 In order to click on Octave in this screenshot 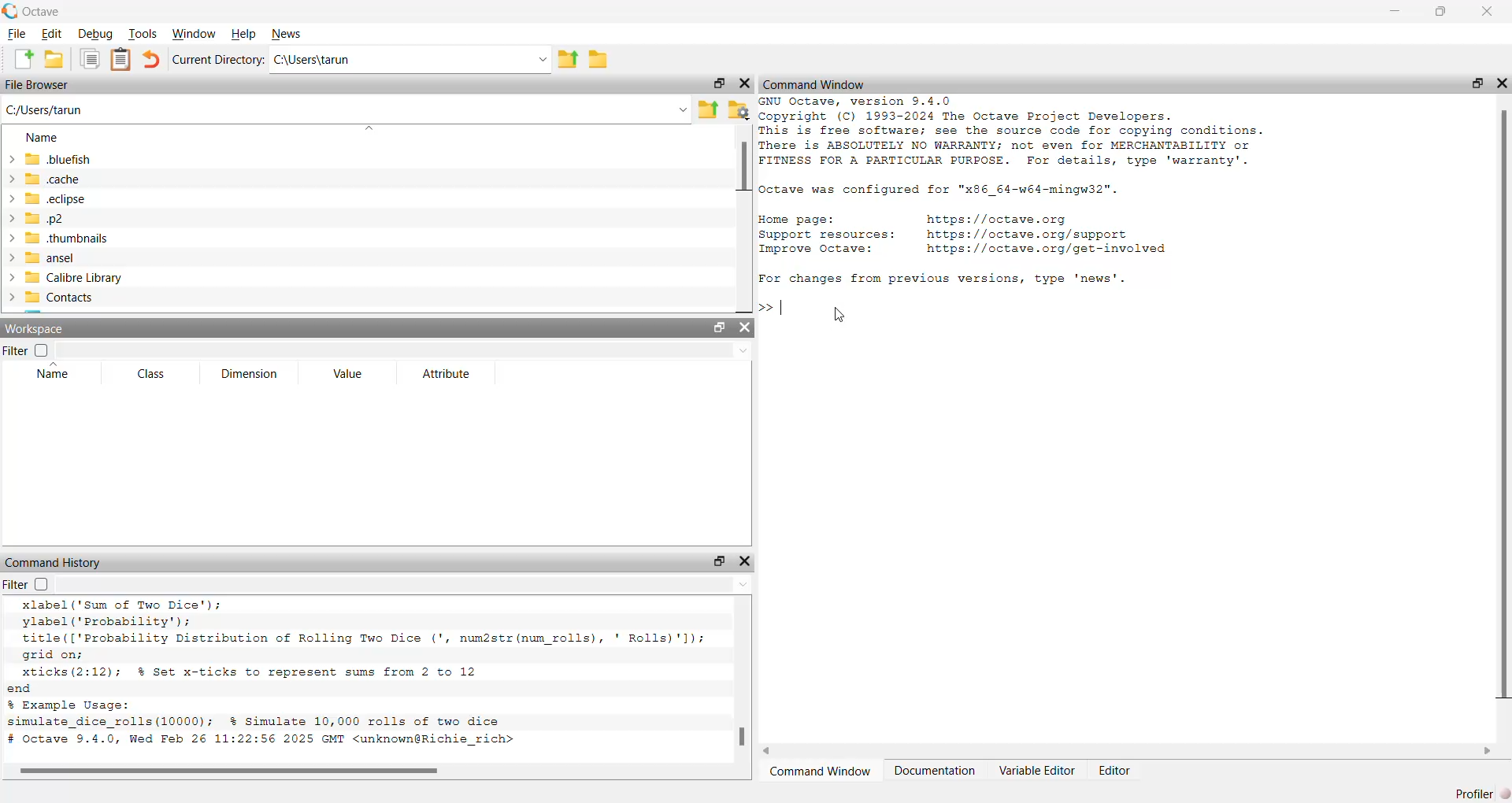, I will do `click(33, 9)`.